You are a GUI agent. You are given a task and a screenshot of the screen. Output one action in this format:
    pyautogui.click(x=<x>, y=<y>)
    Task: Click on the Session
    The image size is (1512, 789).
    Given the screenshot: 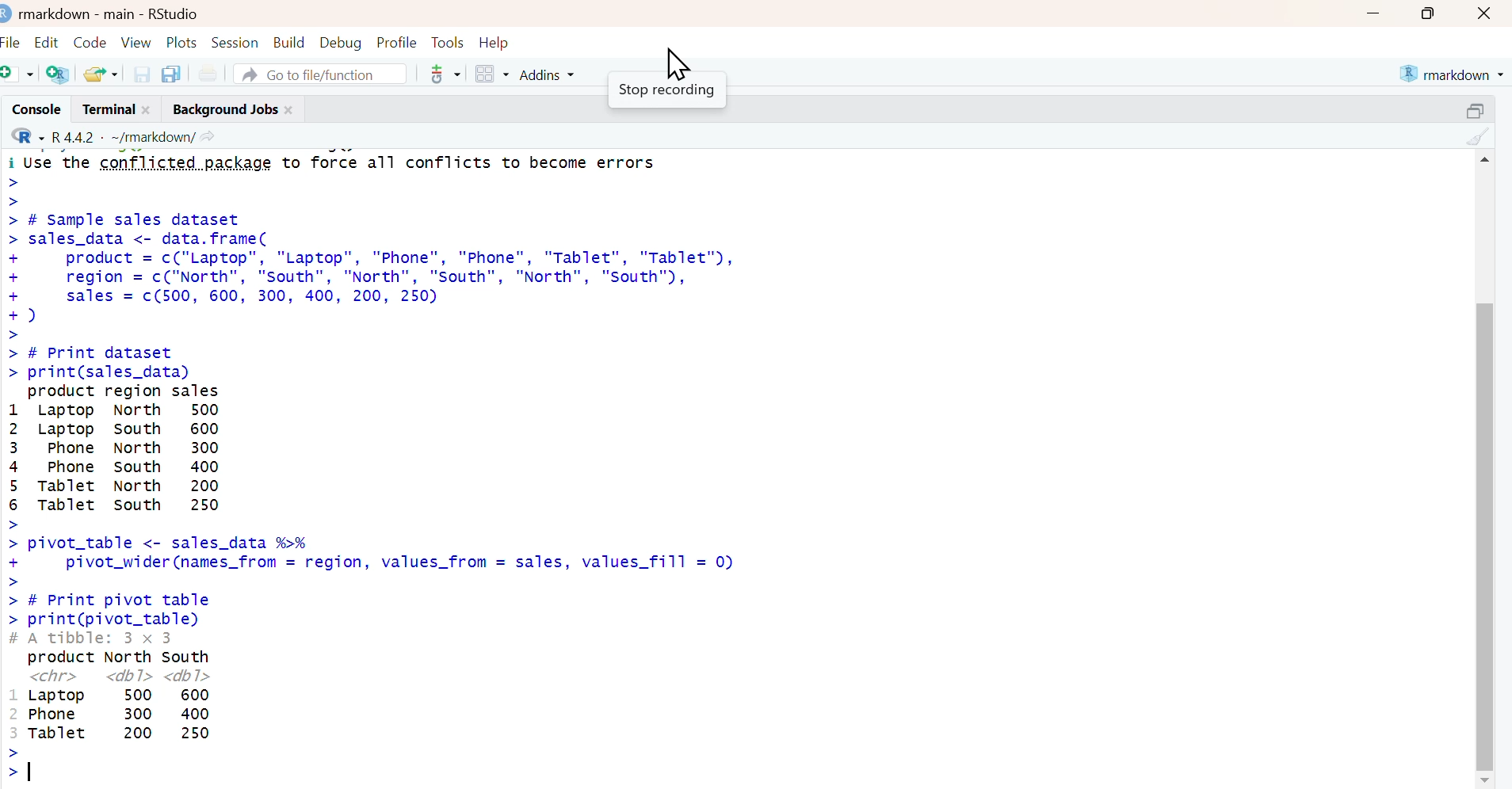 What is the action you would take?
    pyautogui.click(x=236, y=40)
    